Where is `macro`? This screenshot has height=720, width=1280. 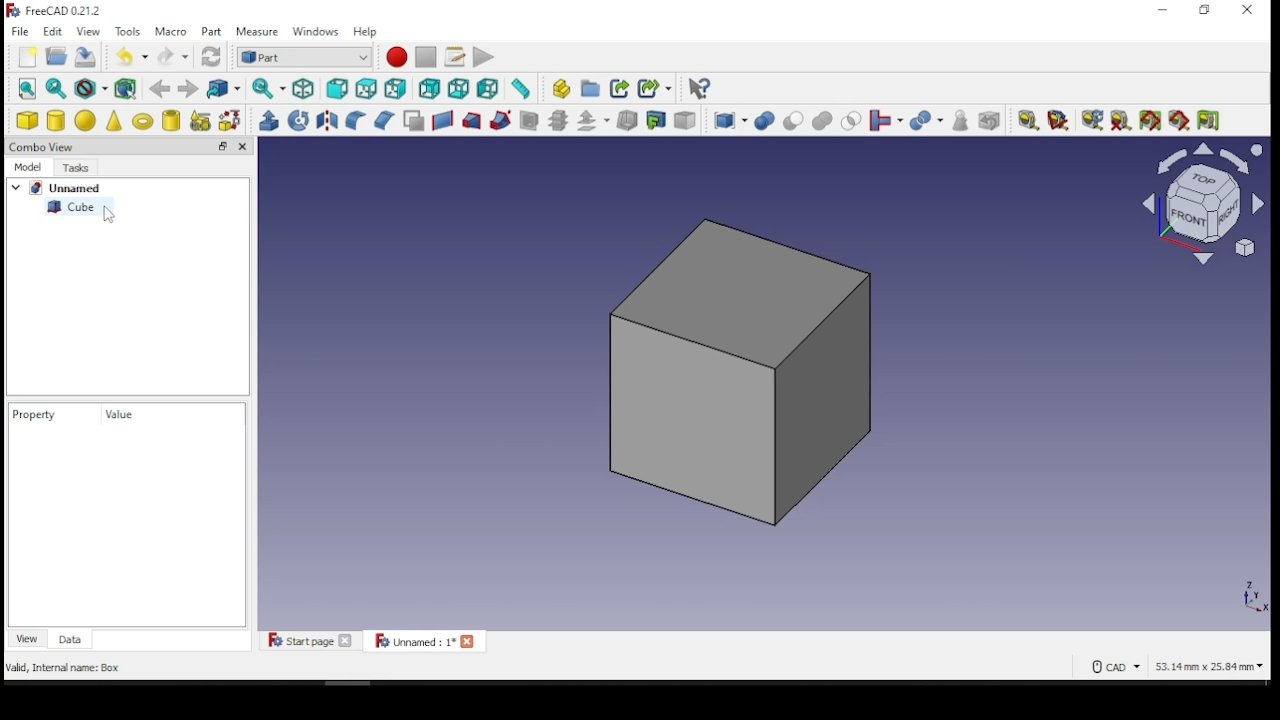 macro is located at coordinates (171, 31).